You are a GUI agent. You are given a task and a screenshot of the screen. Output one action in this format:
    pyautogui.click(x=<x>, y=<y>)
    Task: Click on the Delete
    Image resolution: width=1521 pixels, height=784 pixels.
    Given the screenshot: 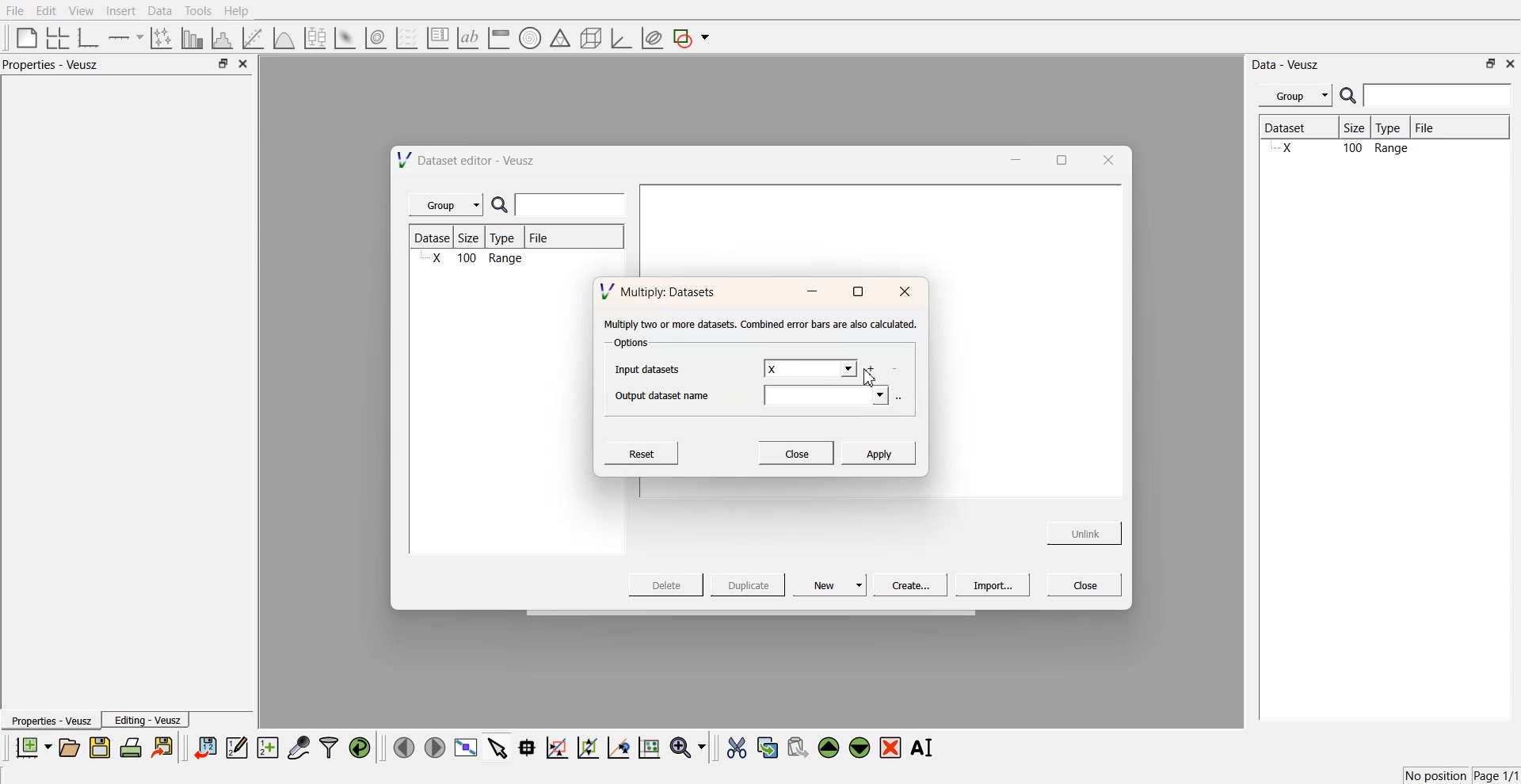 What is the action you would take?
    pyautogui.click(x=668, y=584)
    